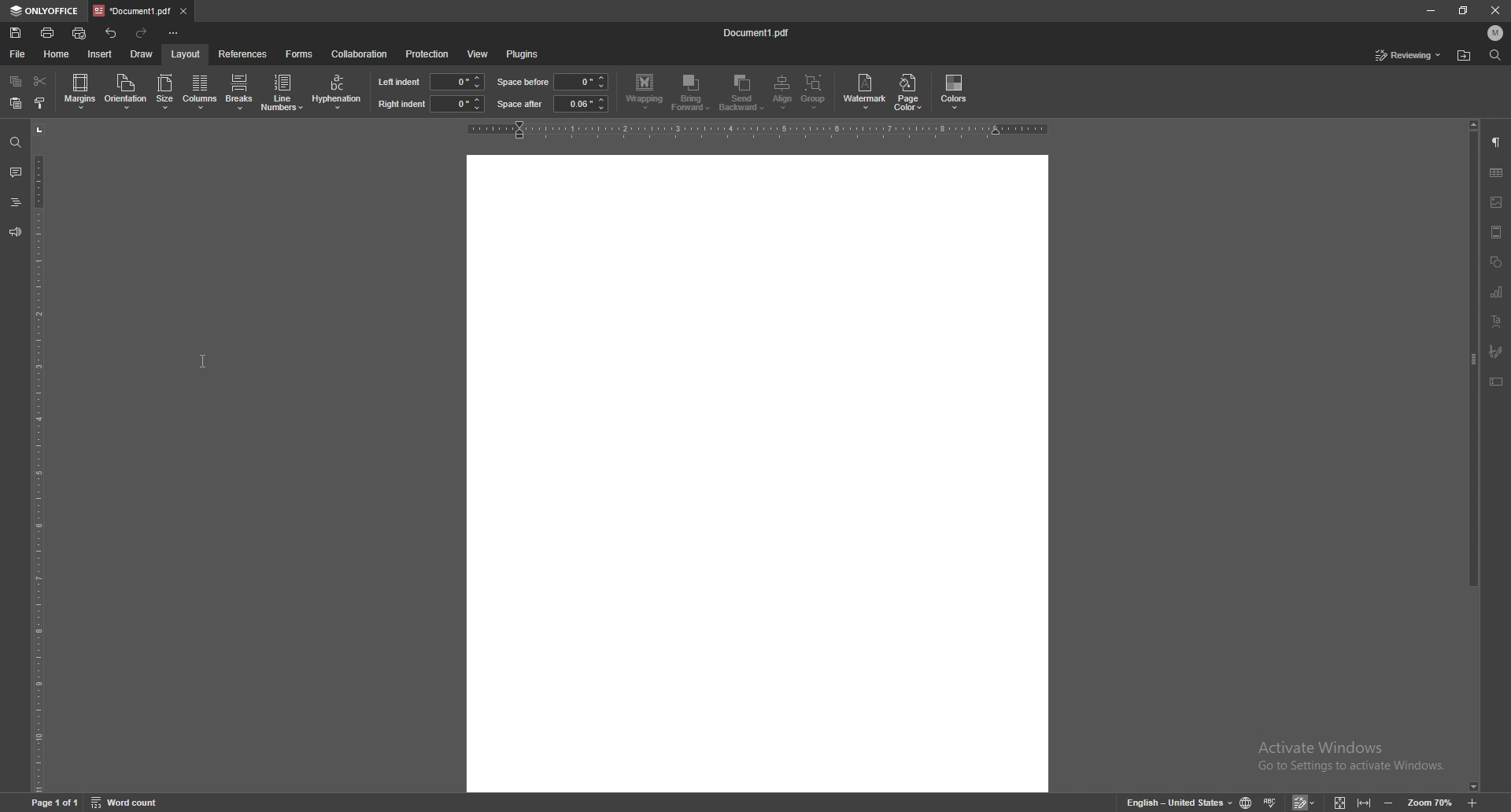  Describe the element at coordinates (911, 91) in the screenshot. I see `page color` at that location.